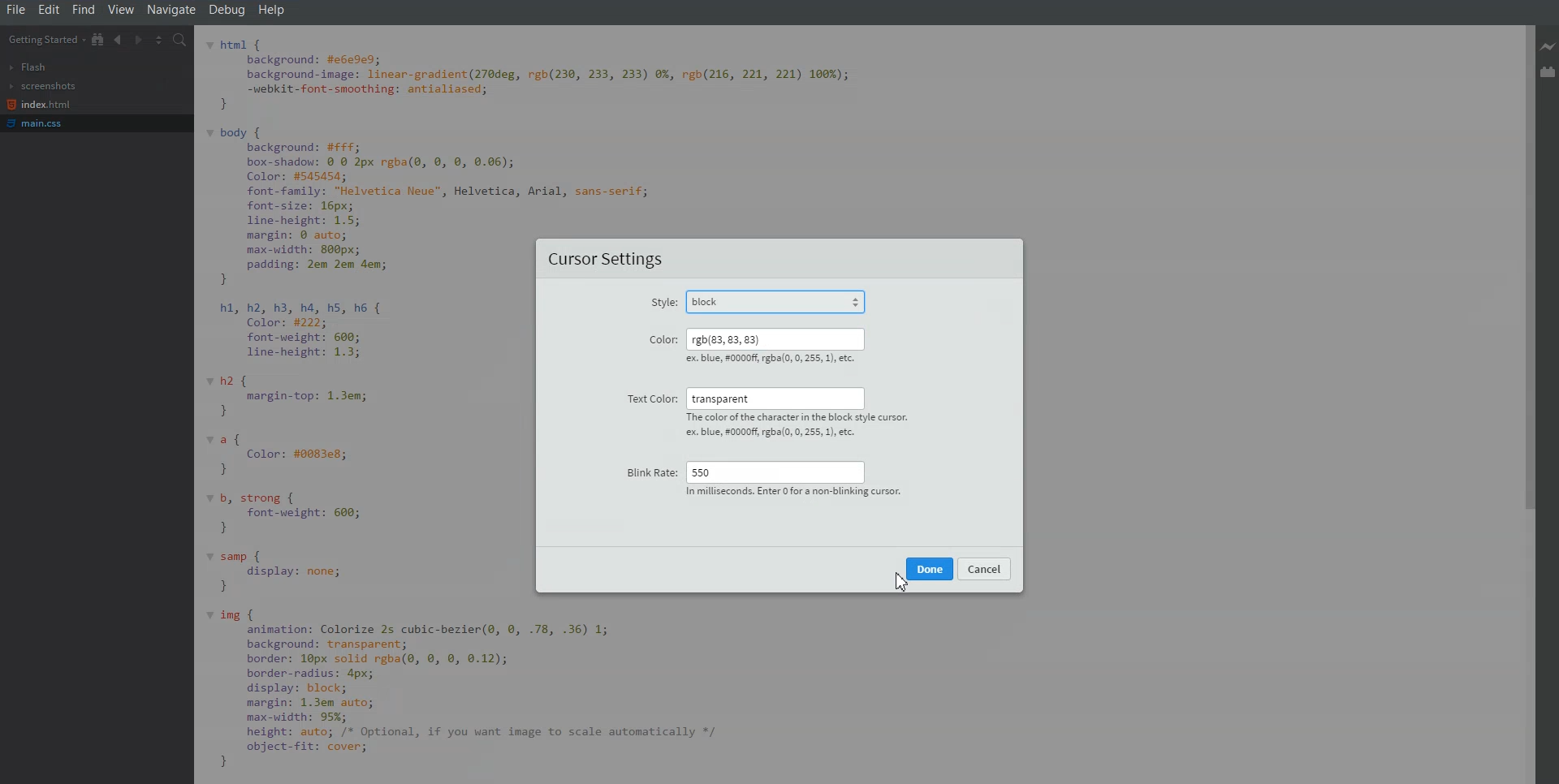 The image size is (1559, 784). I want to click on Debug, so click(228, 10).